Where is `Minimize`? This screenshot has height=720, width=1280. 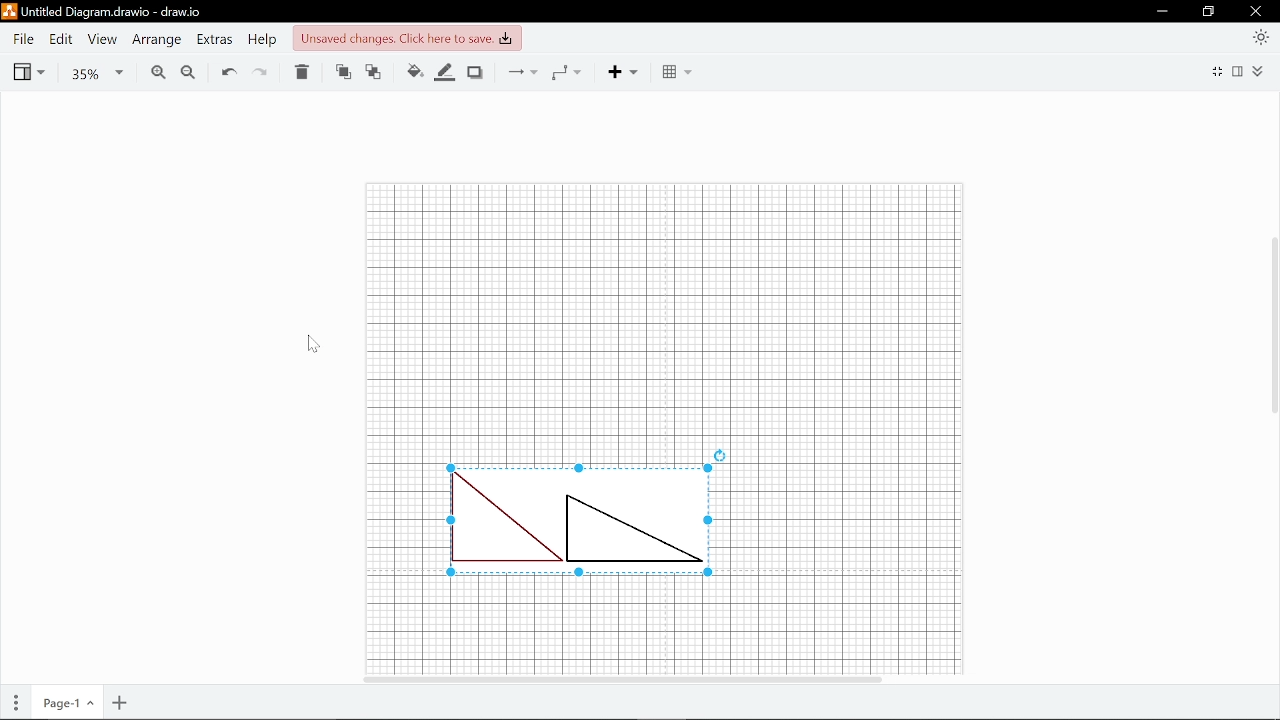
Minimize is located at coordinates (1161, 11).